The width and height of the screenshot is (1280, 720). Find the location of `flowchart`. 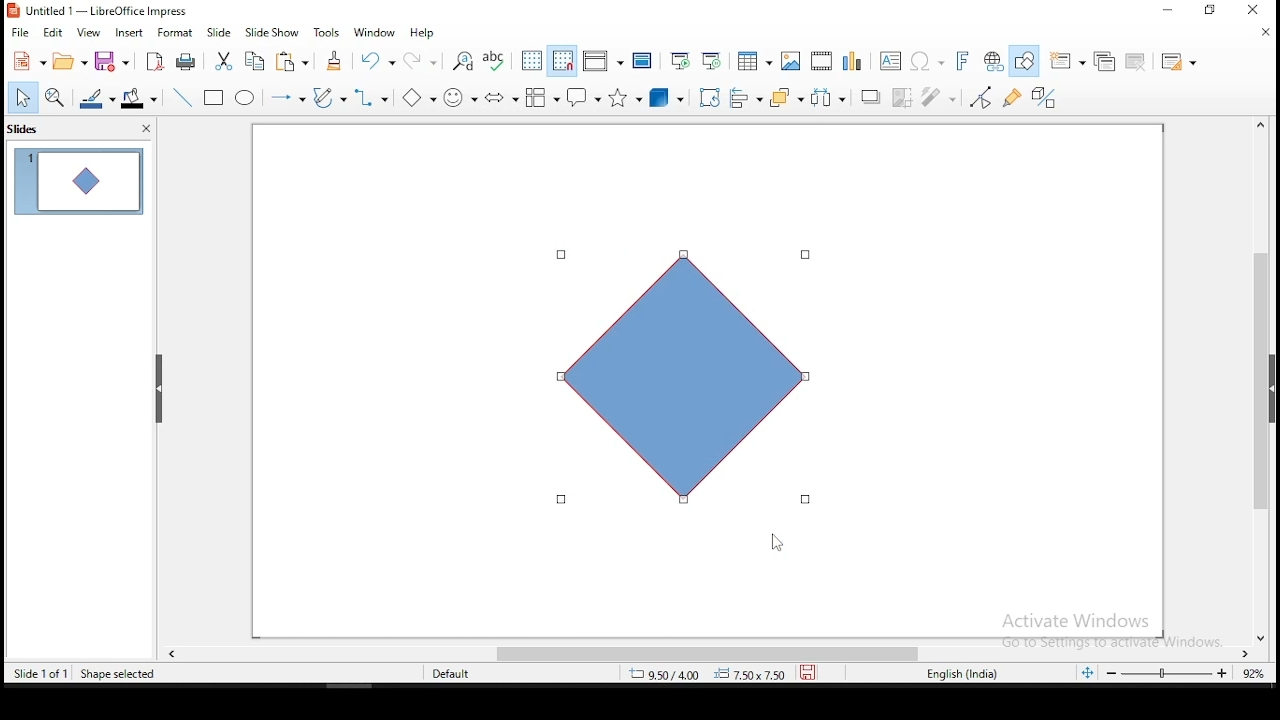

flowchart is located at coordinates (543, 97).